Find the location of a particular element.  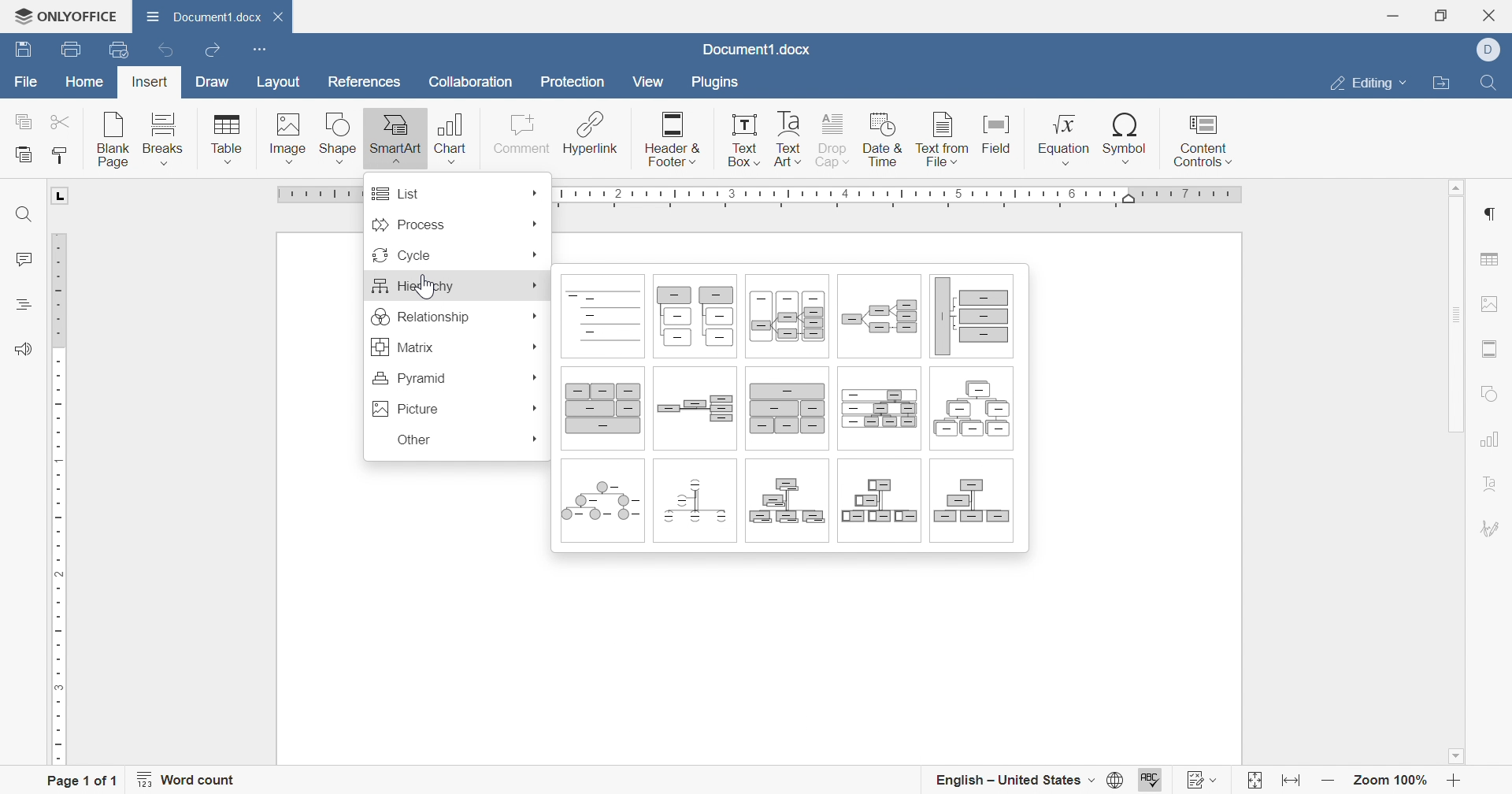

More is located at coordinates (537, 255).